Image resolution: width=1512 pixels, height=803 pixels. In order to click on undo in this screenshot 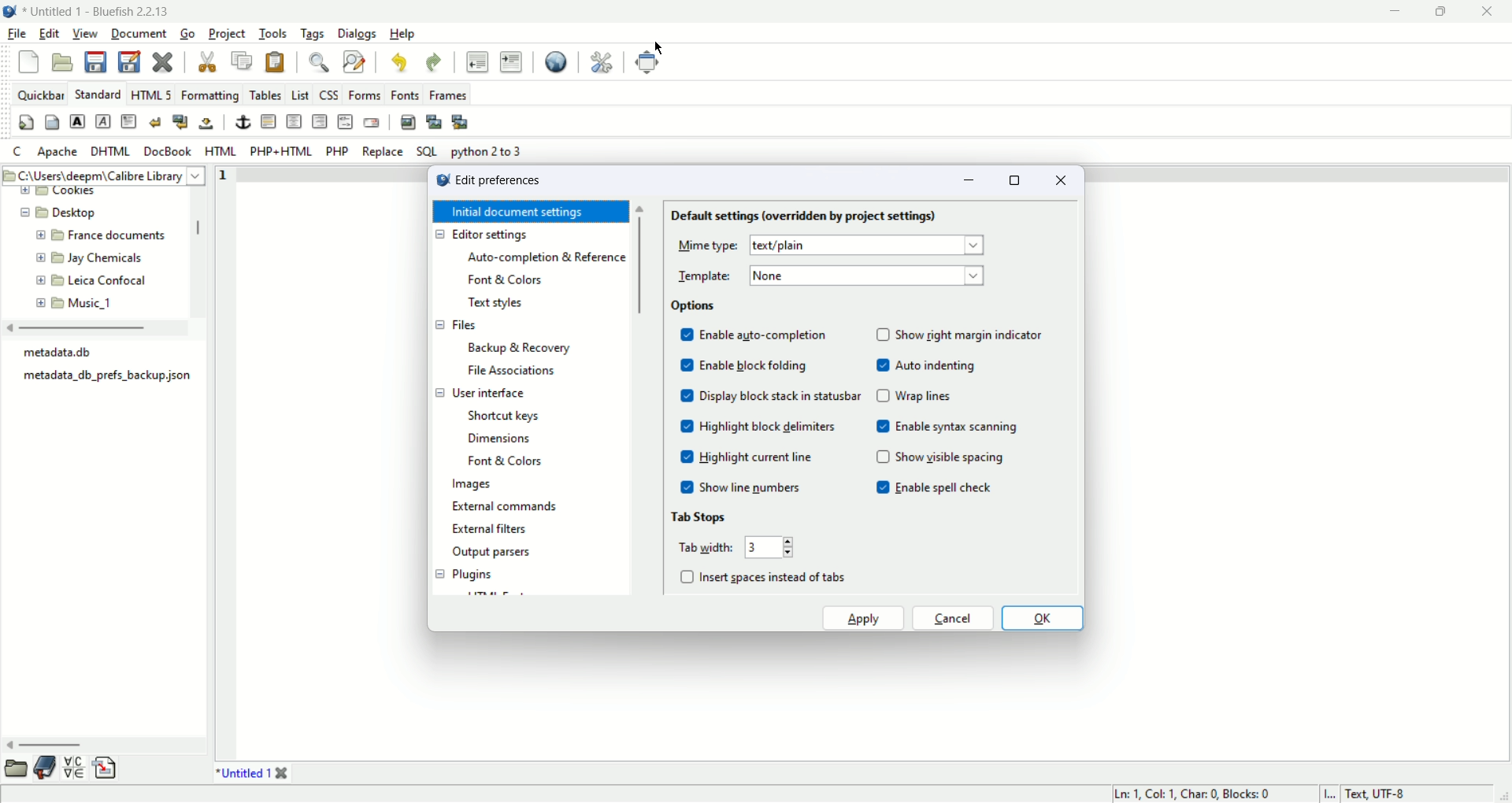, I will do `click(399, 63)`.